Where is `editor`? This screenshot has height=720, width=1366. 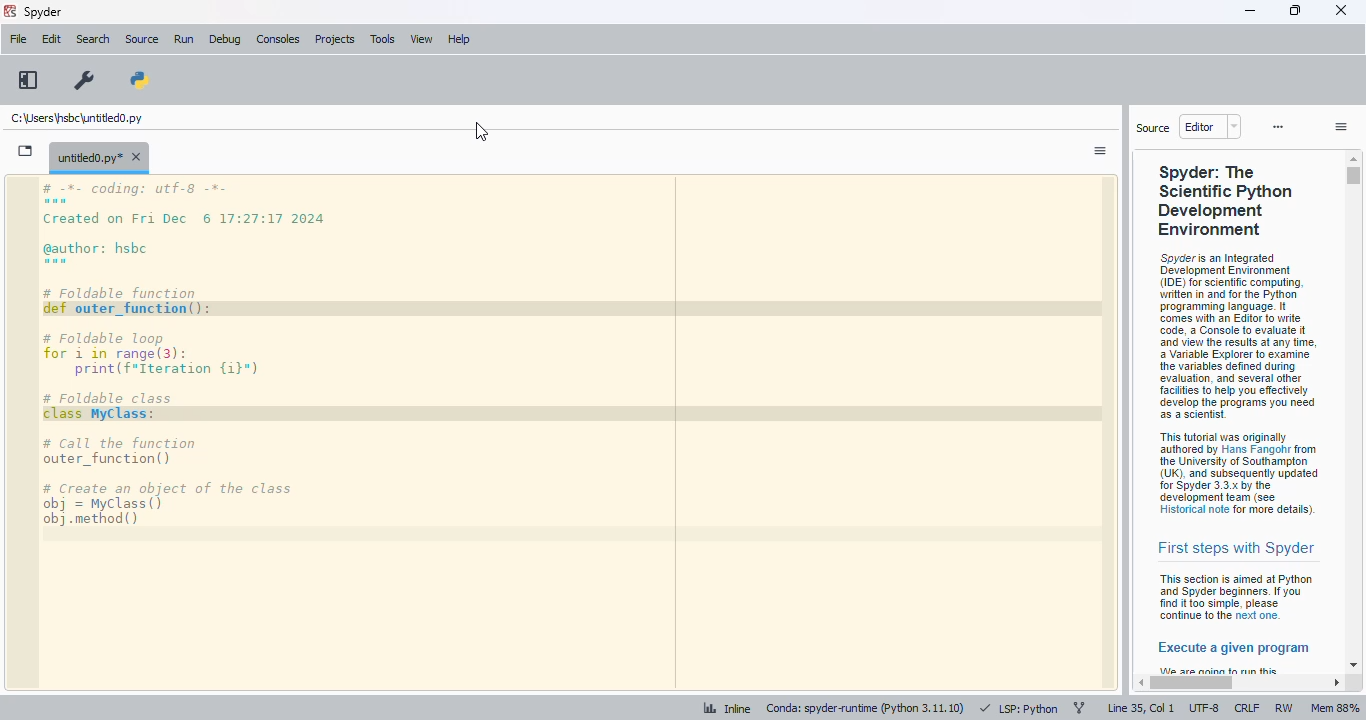
editor is located at coordinates (578, 434).